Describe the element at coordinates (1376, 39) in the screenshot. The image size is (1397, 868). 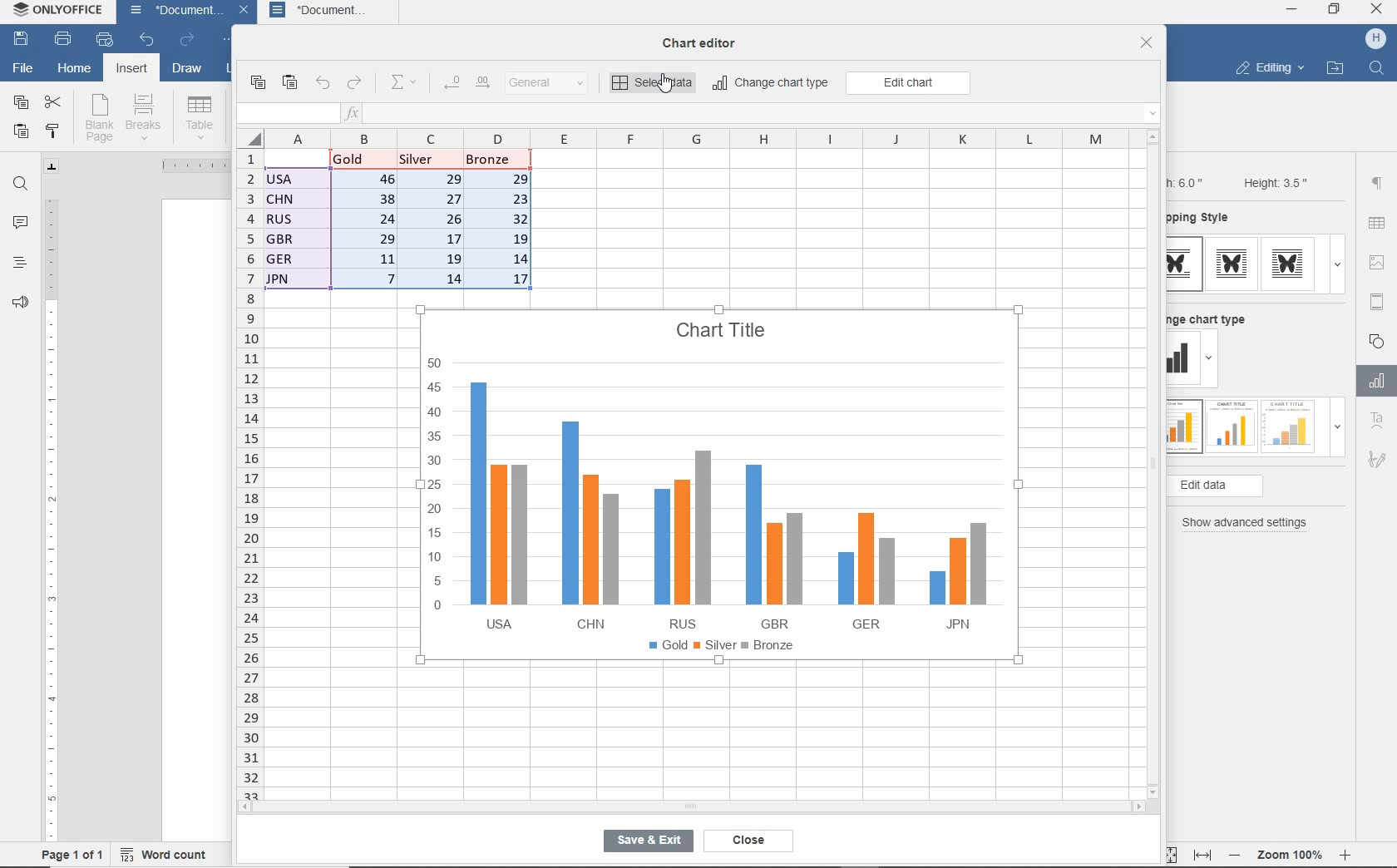
I see `hp` at that location.